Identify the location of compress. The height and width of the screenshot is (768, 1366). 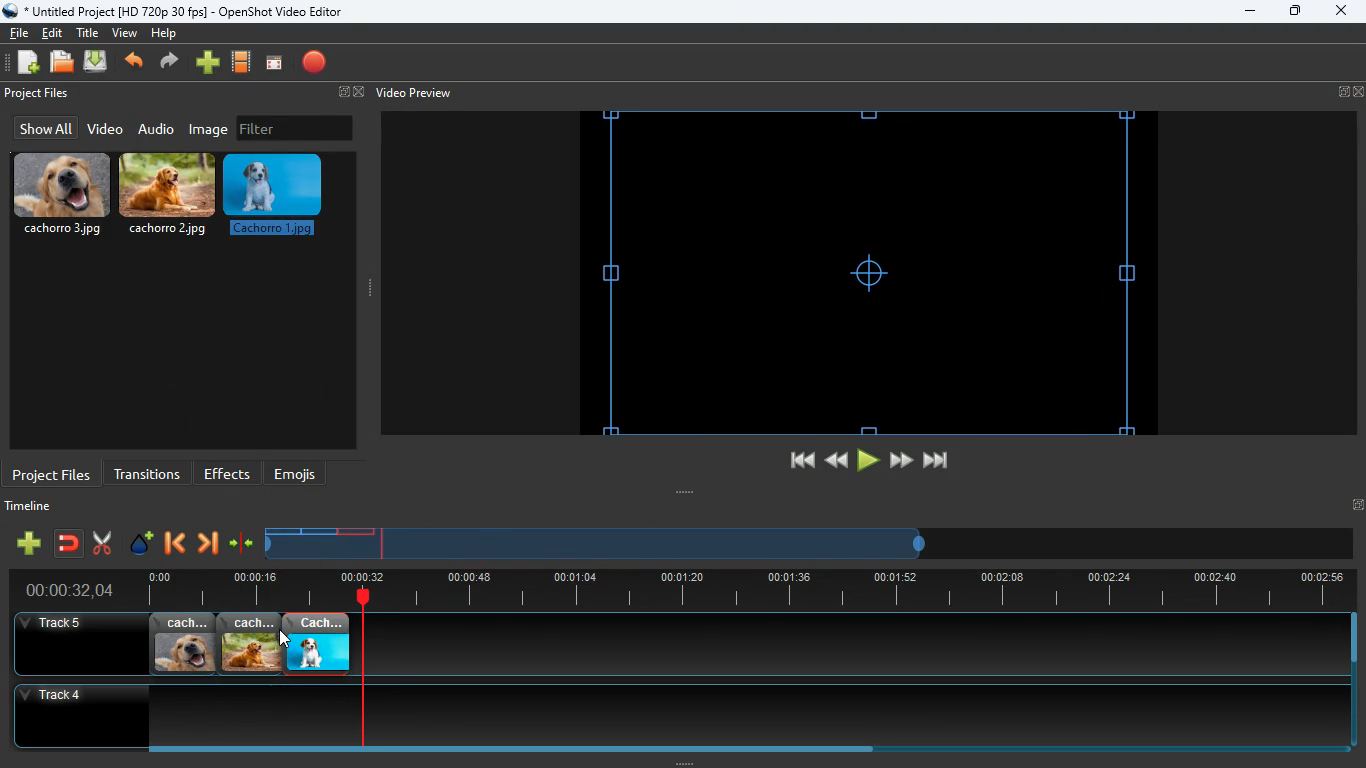
(242, 544).